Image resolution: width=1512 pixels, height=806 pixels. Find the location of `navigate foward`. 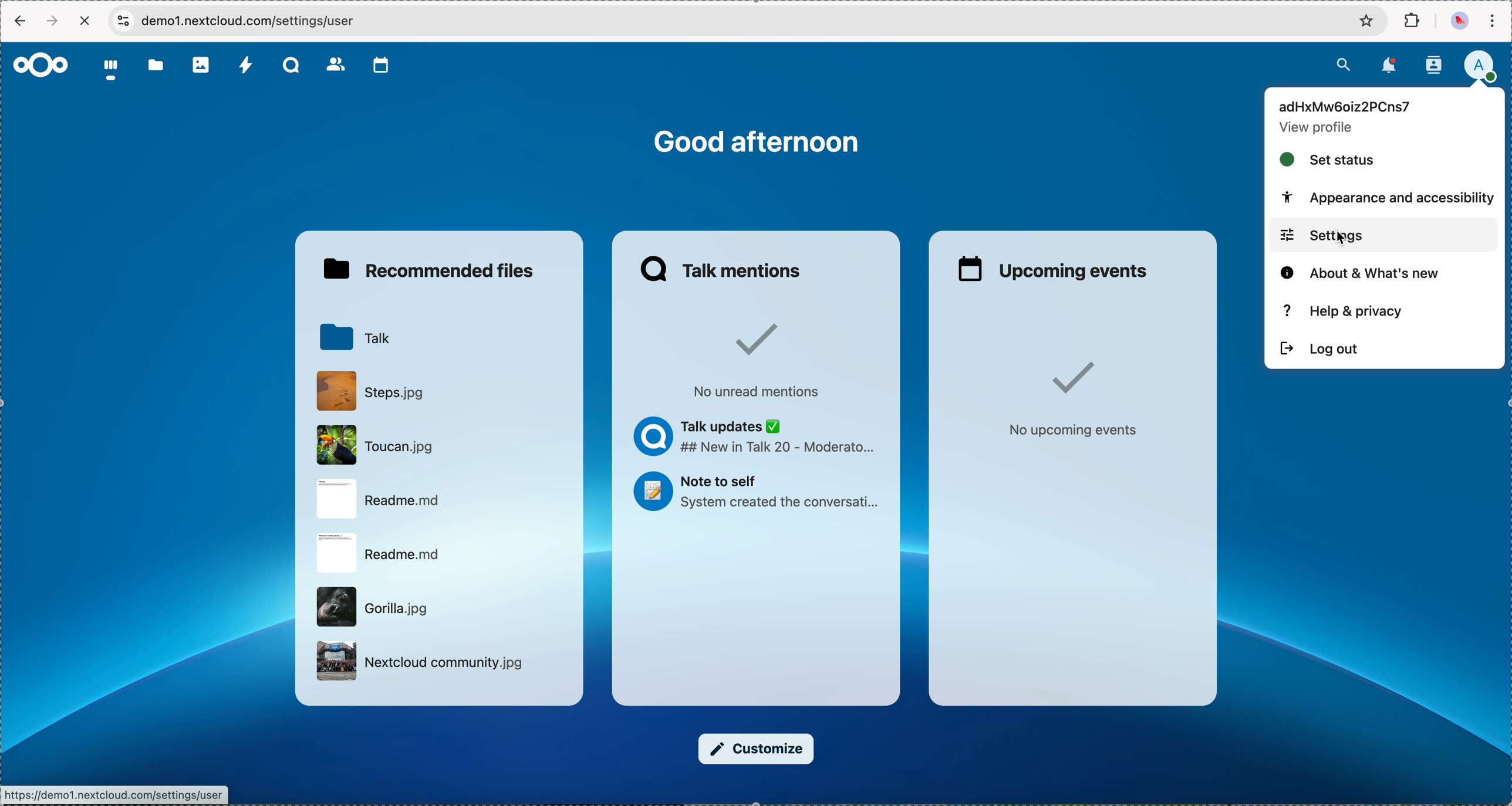

navigate foward is located at coordinates (54, 21).